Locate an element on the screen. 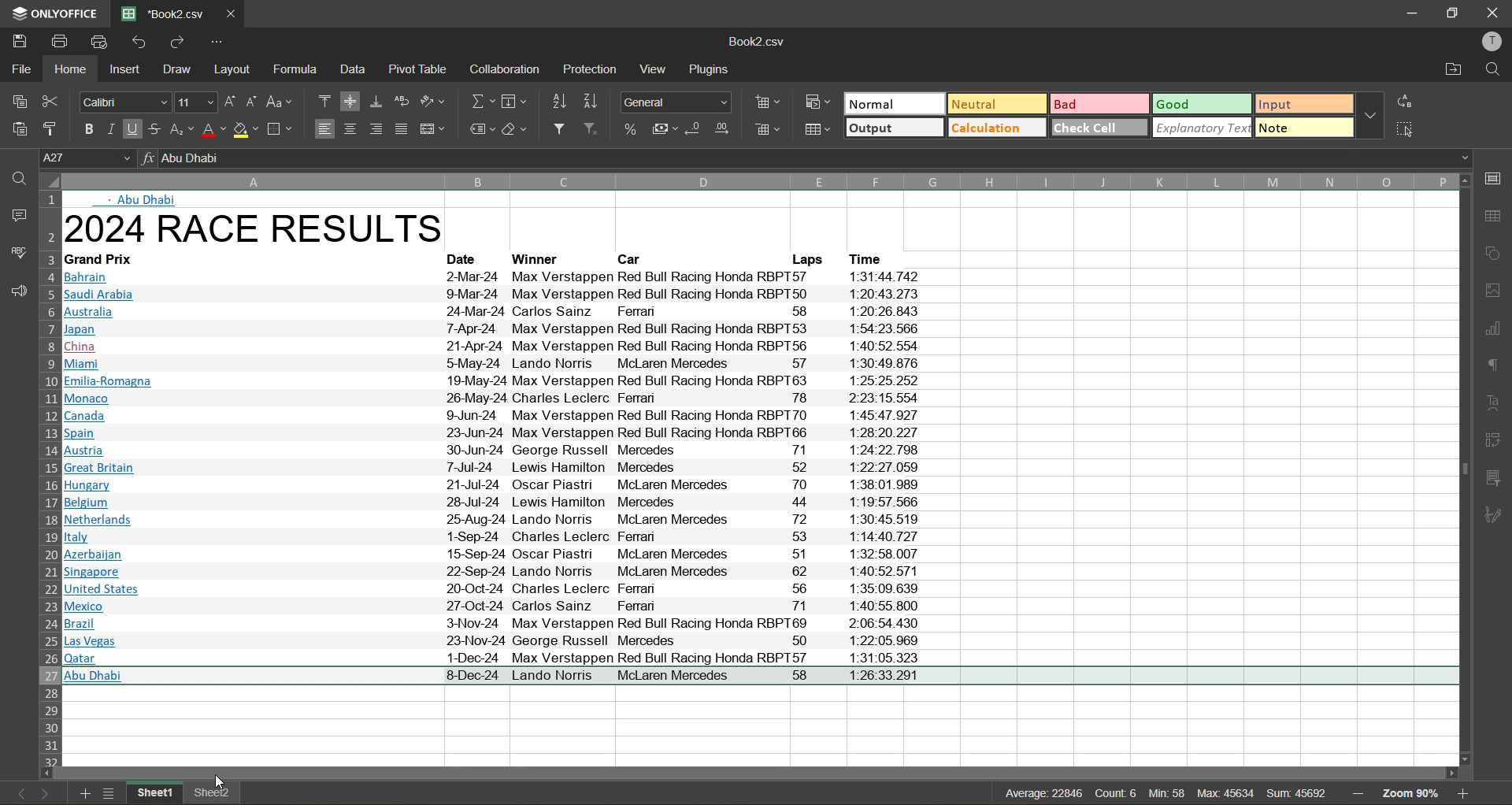 This screenshot has width=1512, height=805. data is located at coordinates (358, 69).